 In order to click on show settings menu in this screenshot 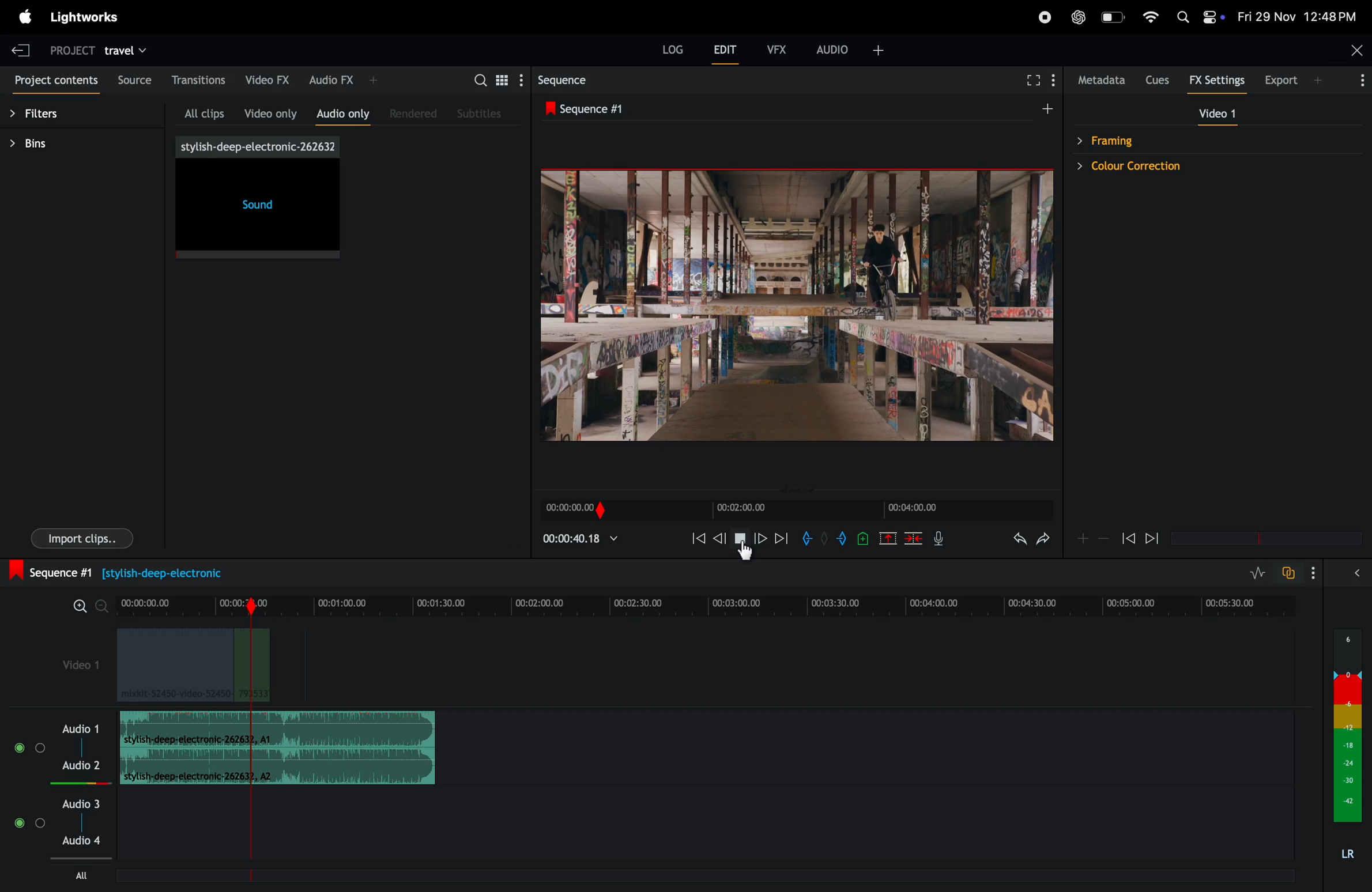, I will do `click(520, 80)`.